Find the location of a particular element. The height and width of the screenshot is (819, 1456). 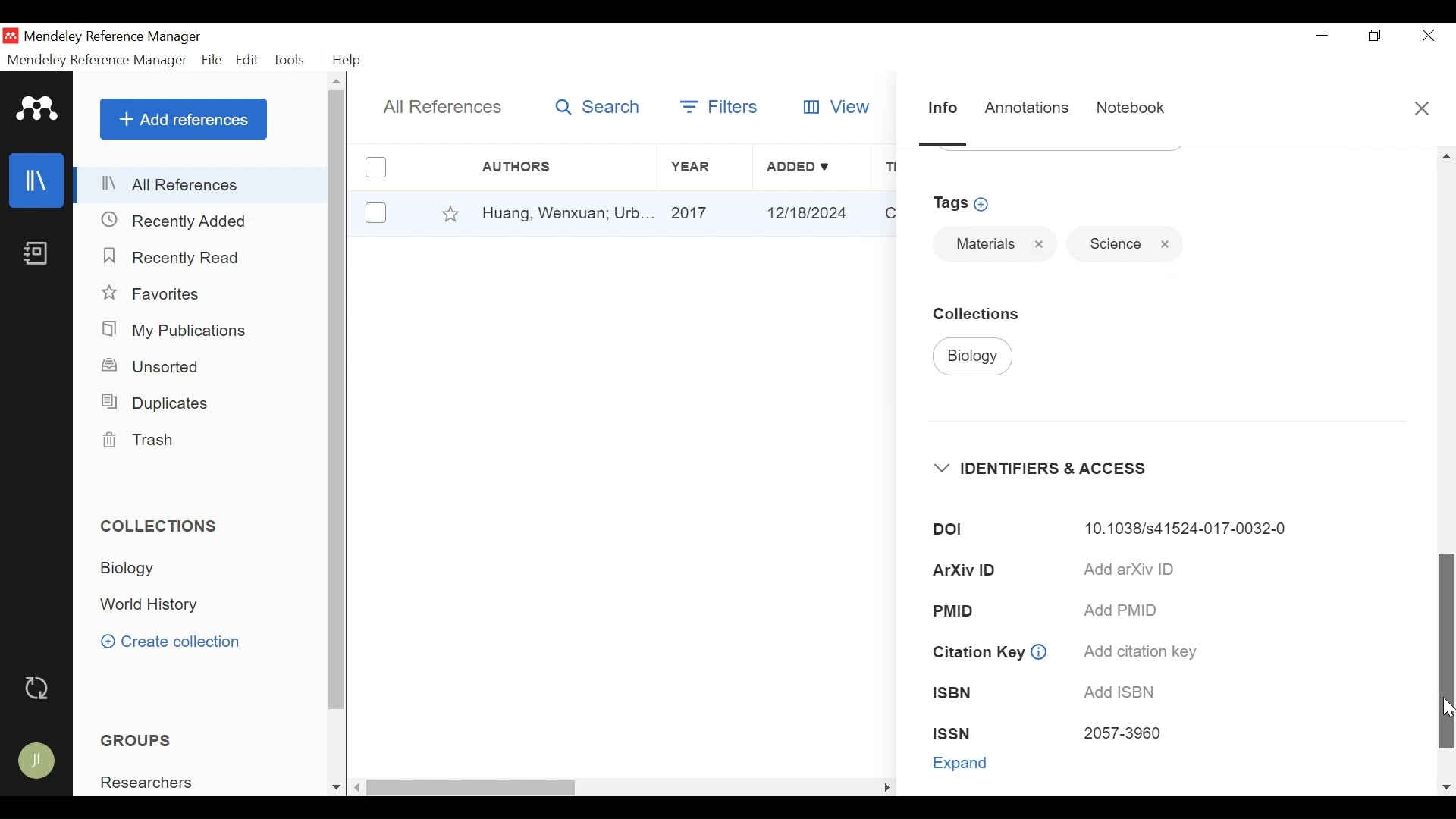

Science is located at coordinates (1109, 244).